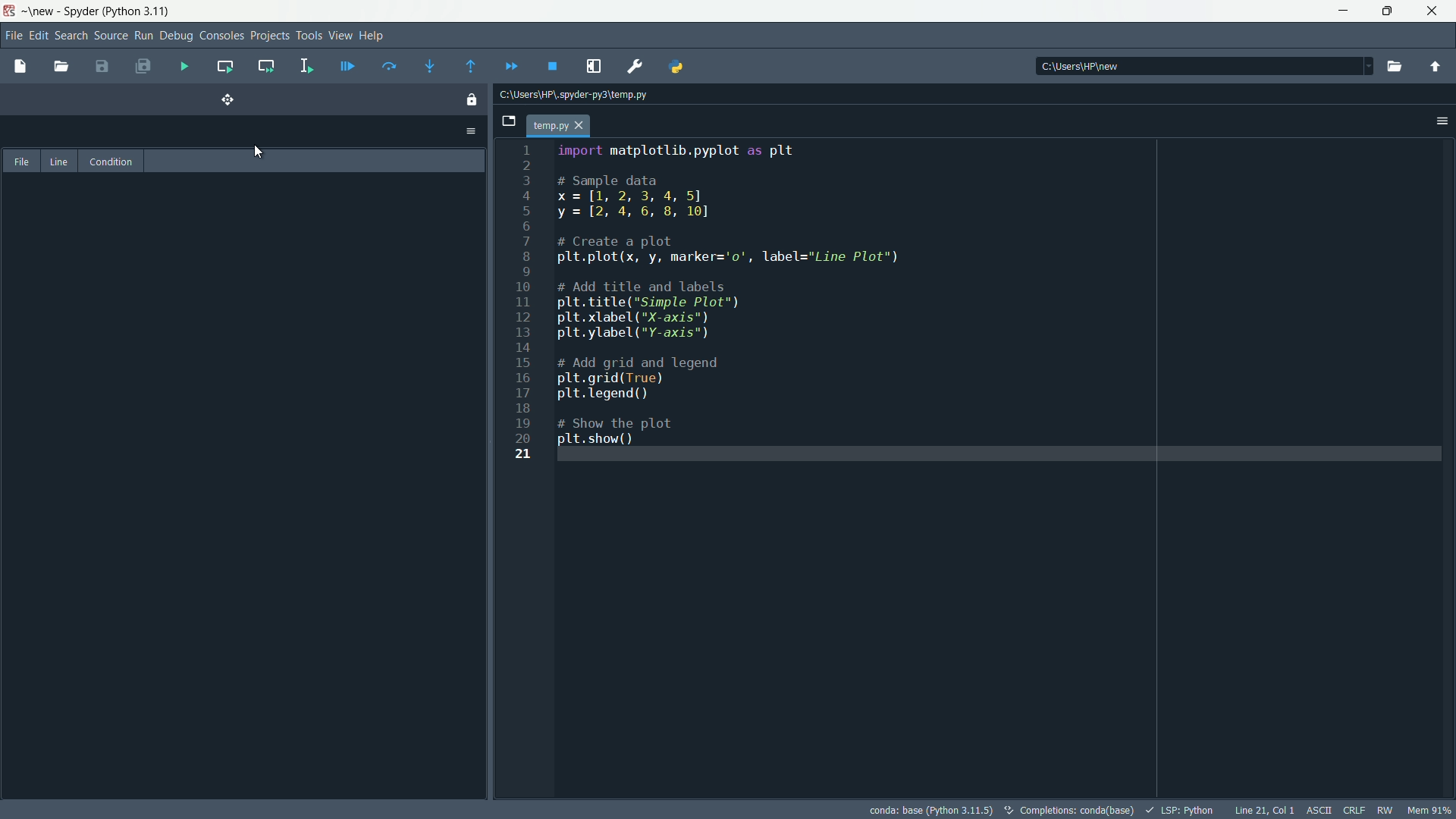  I want to click on app name, so click(83, 12).